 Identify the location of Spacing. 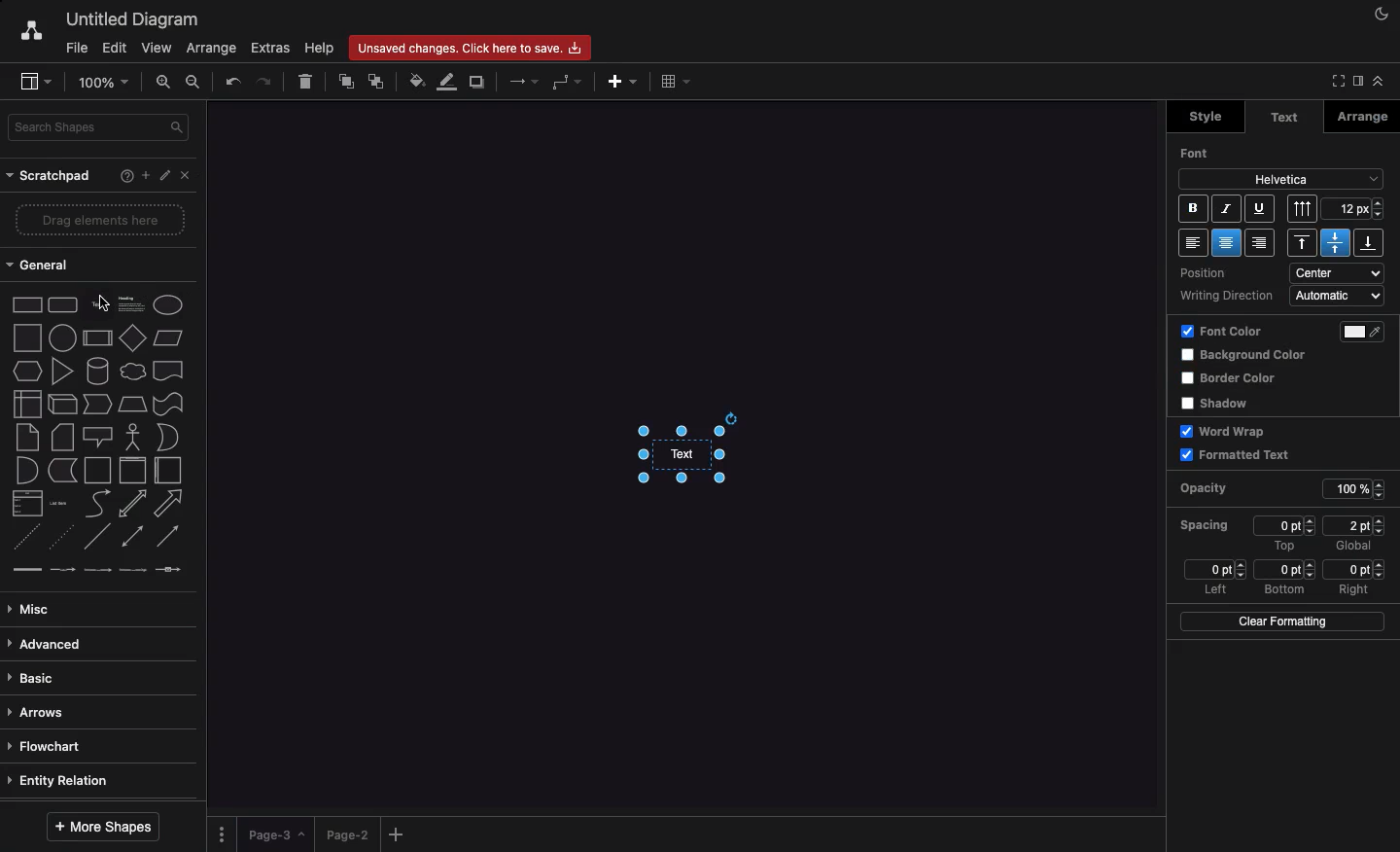
(1206, 524).